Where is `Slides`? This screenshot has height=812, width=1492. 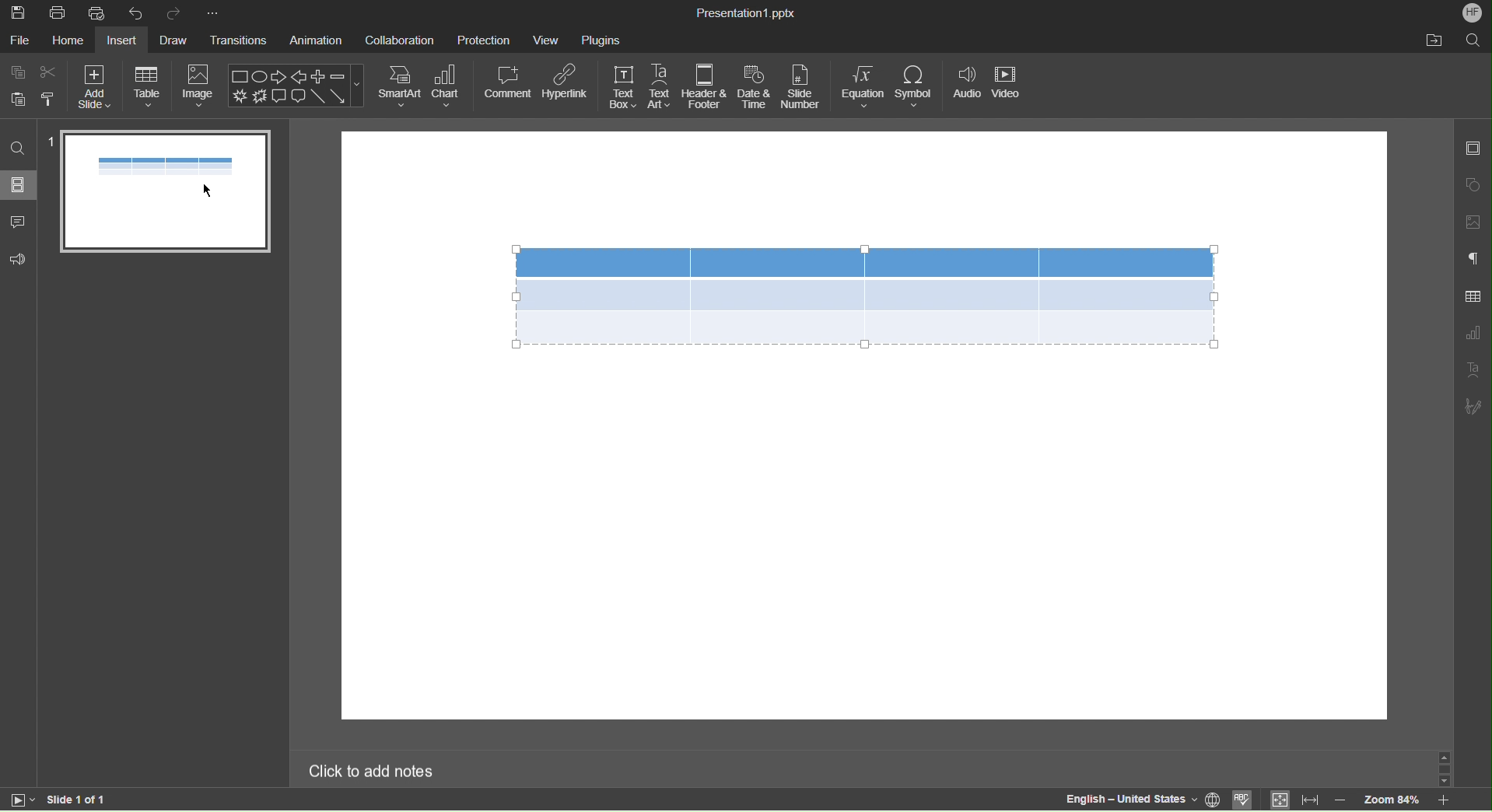 Slides is located at coordinates (19, 186).